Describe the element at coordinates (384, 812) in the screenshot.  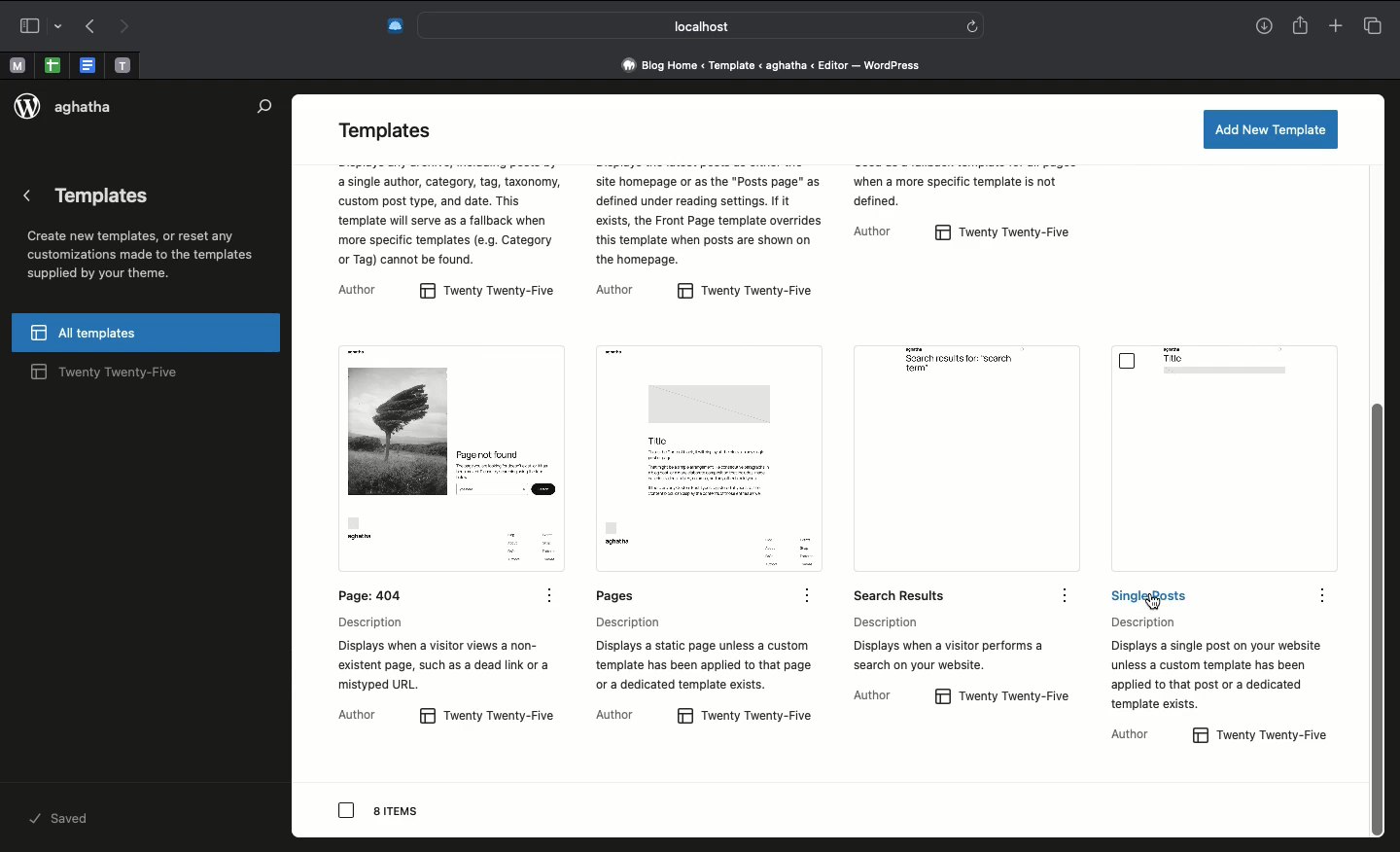
I see `8 items` at that location.